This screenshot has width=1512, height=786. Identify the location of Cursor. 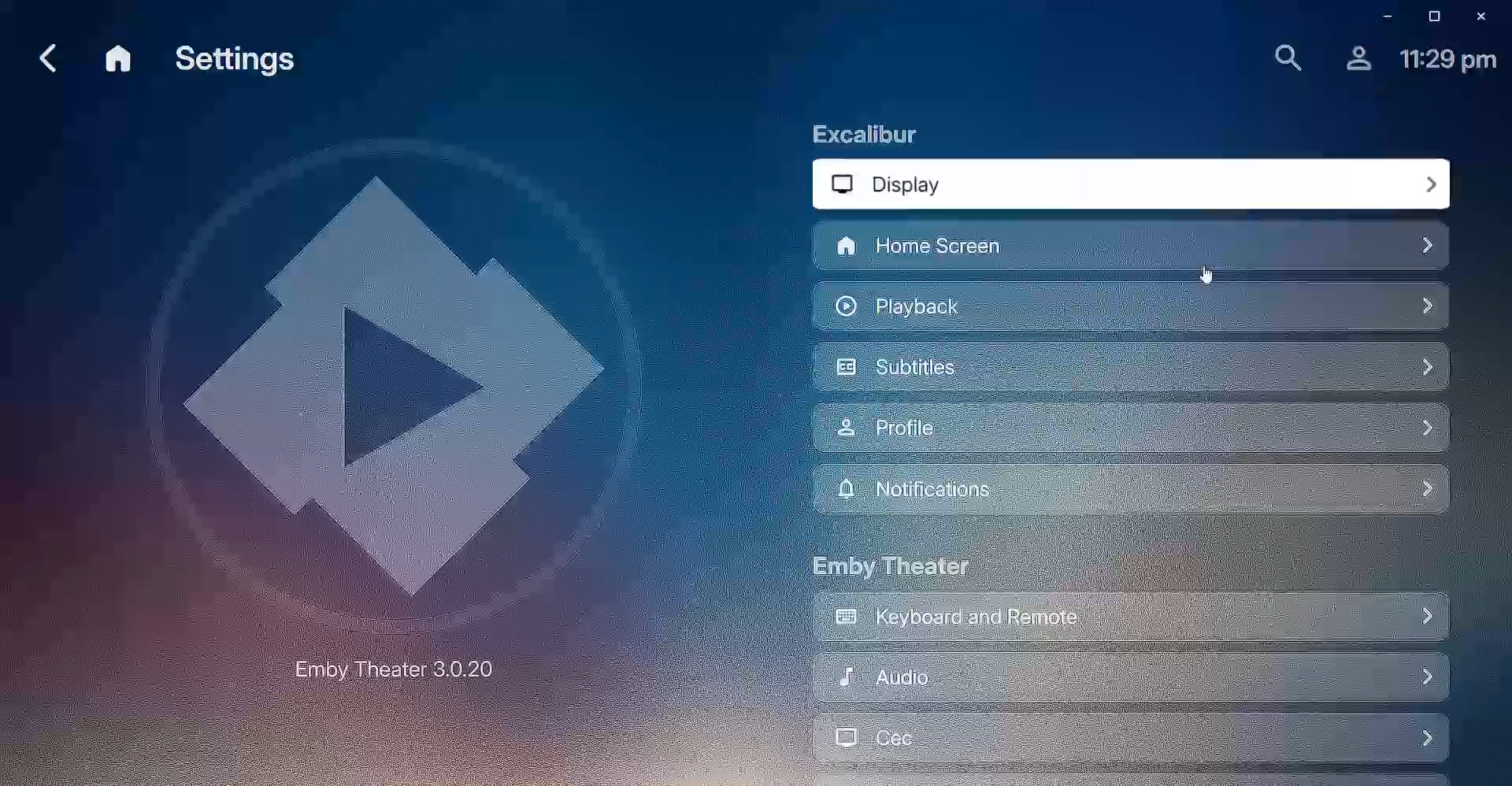
(1213, 277).